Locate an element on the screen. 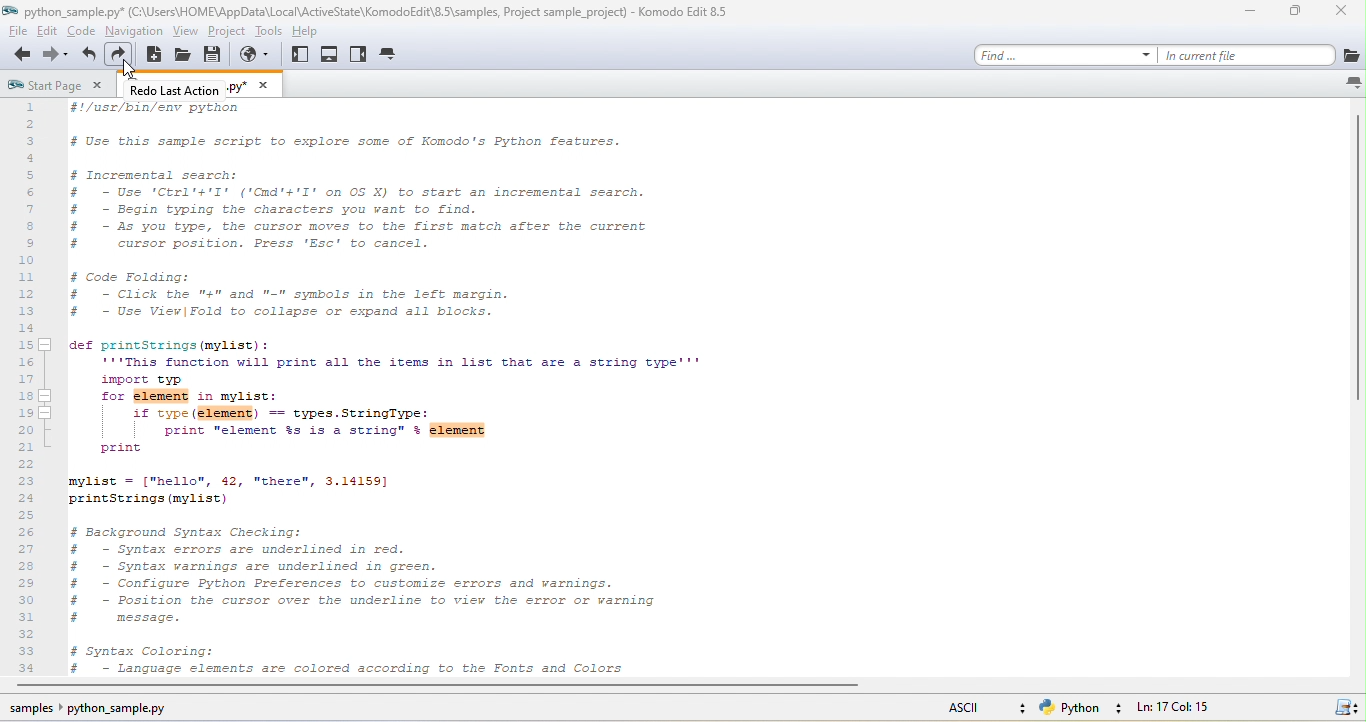 The width and height of the screenshot is (1366, 722). start page is located at coordinates (61, 86).